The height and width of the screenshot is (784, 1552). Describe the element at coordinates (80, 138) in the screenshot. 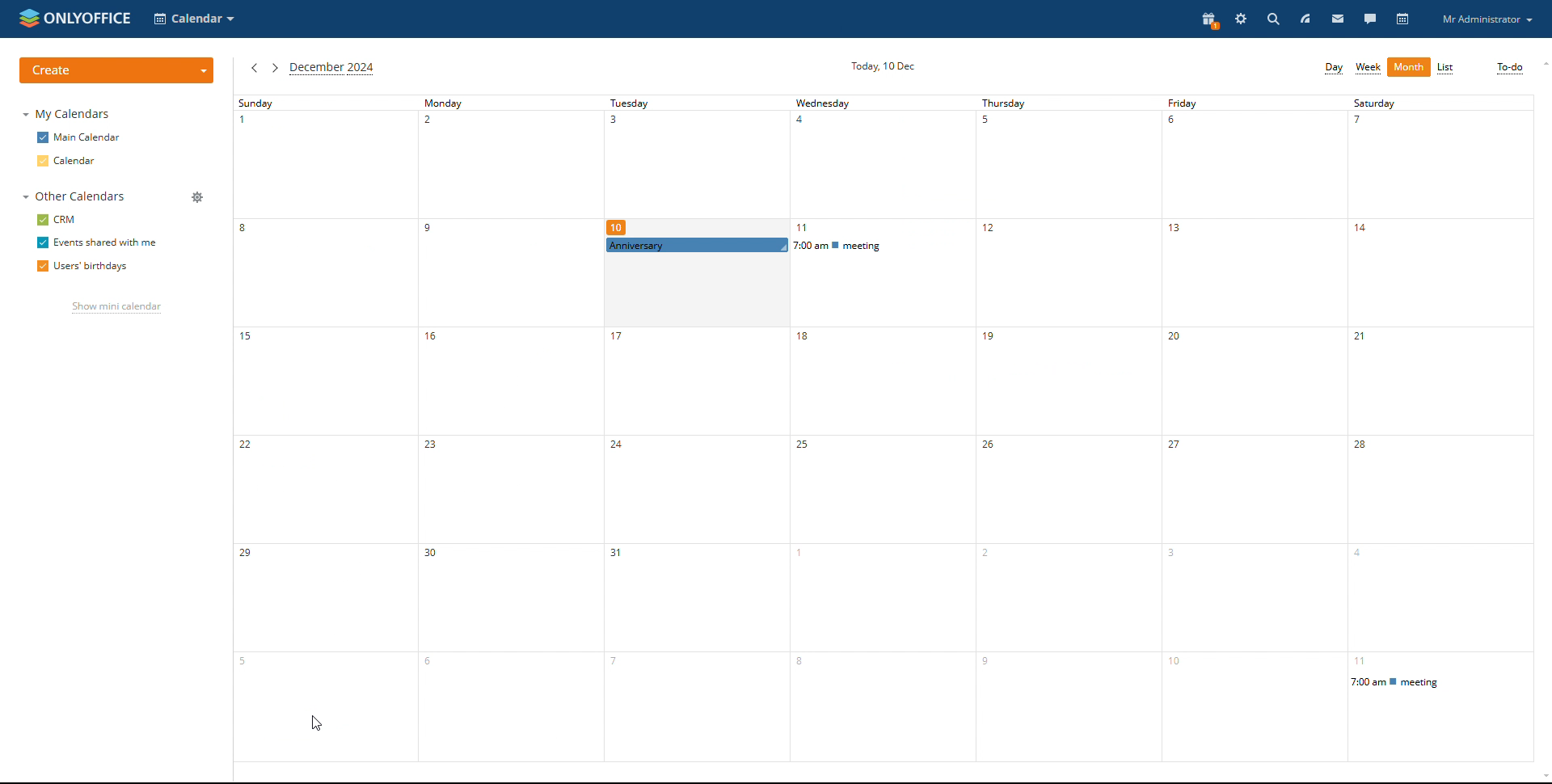

I see `main calendar` at that location.